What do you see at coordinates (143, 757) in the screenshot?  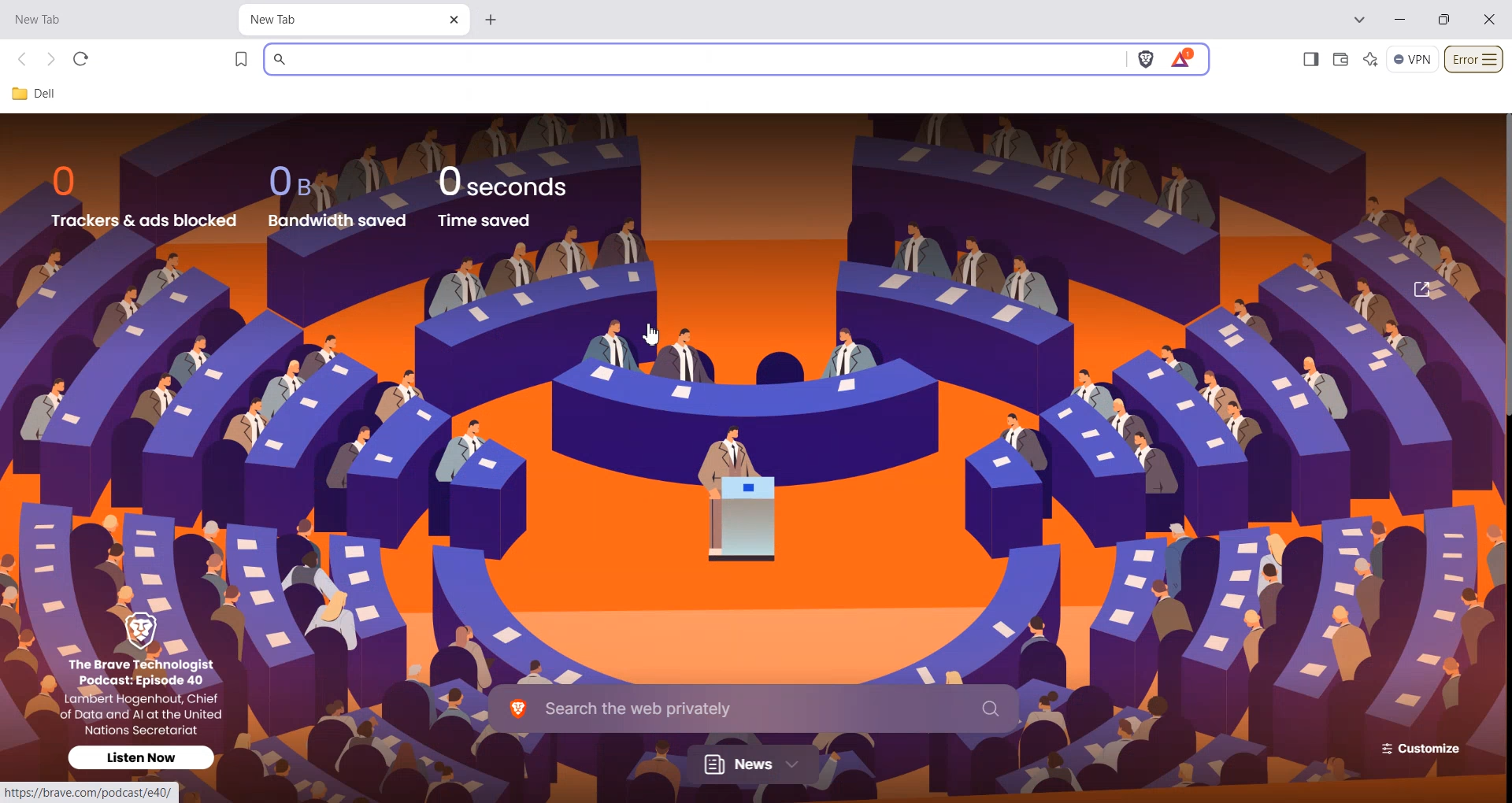 I see `Listen Now podcast` at bounding box center [143, 757].